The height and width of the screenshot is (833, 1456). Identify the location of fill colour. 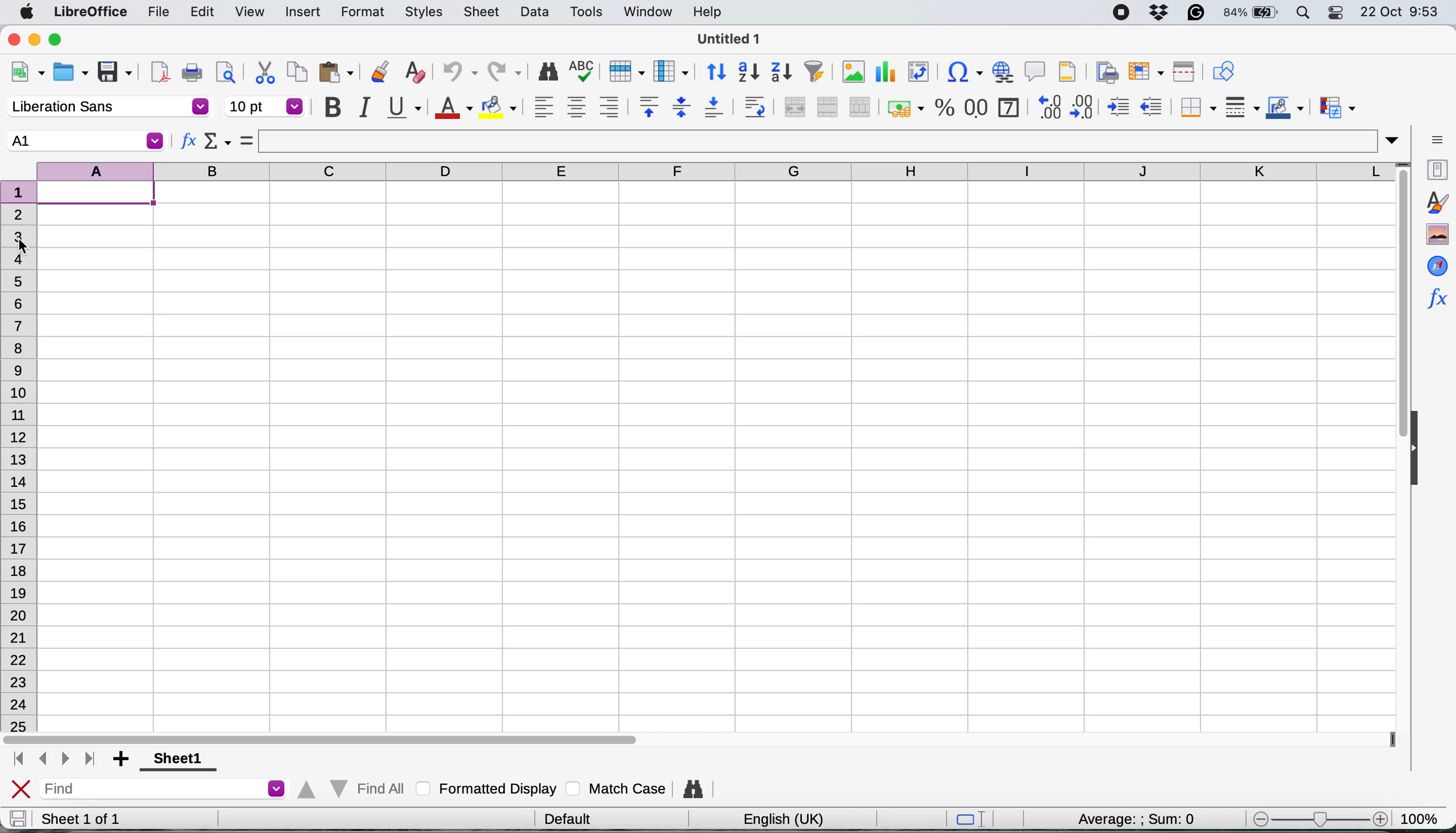
(501, 108).